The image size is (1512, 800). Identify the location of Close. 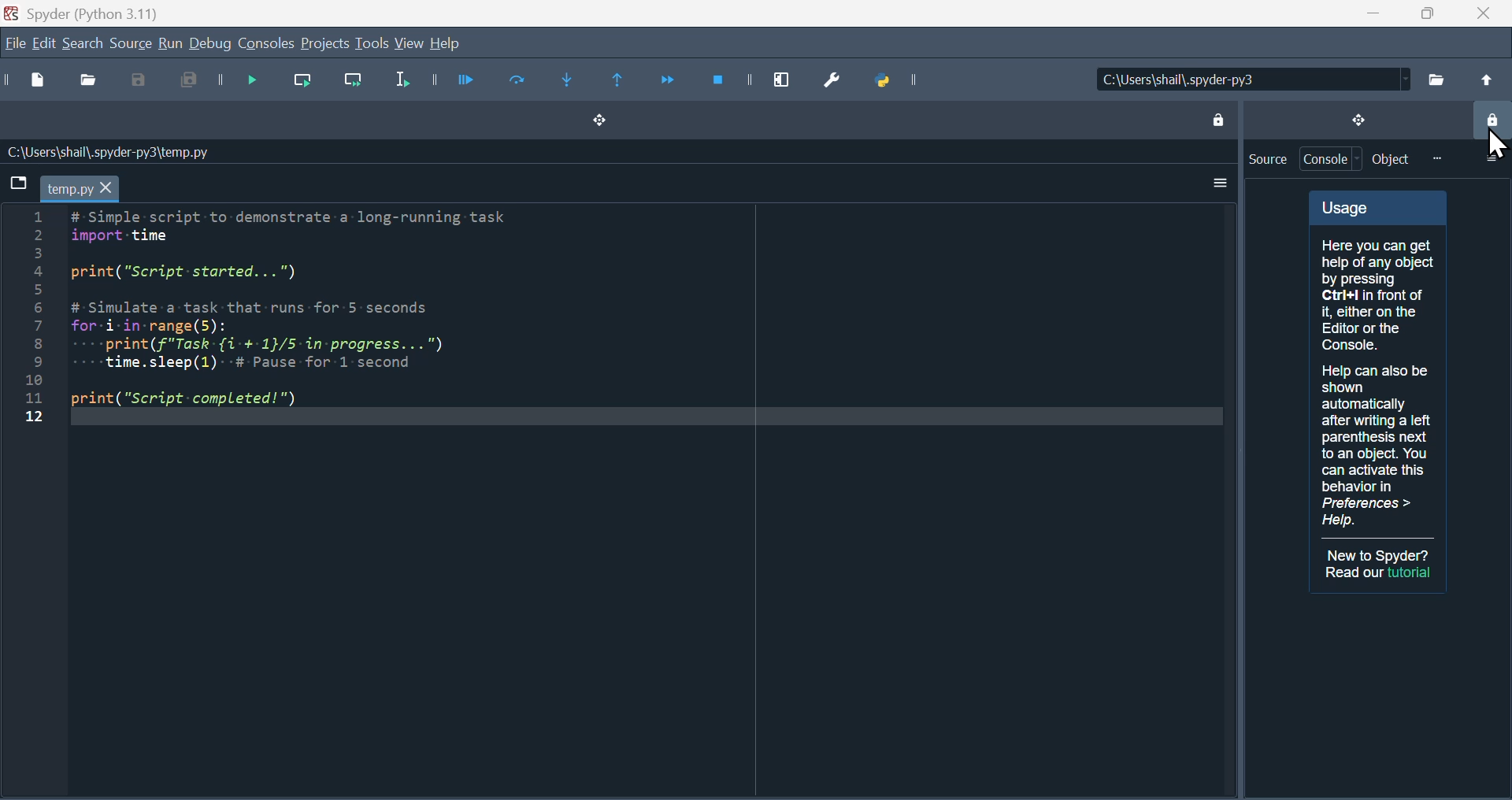
(1482, 13).